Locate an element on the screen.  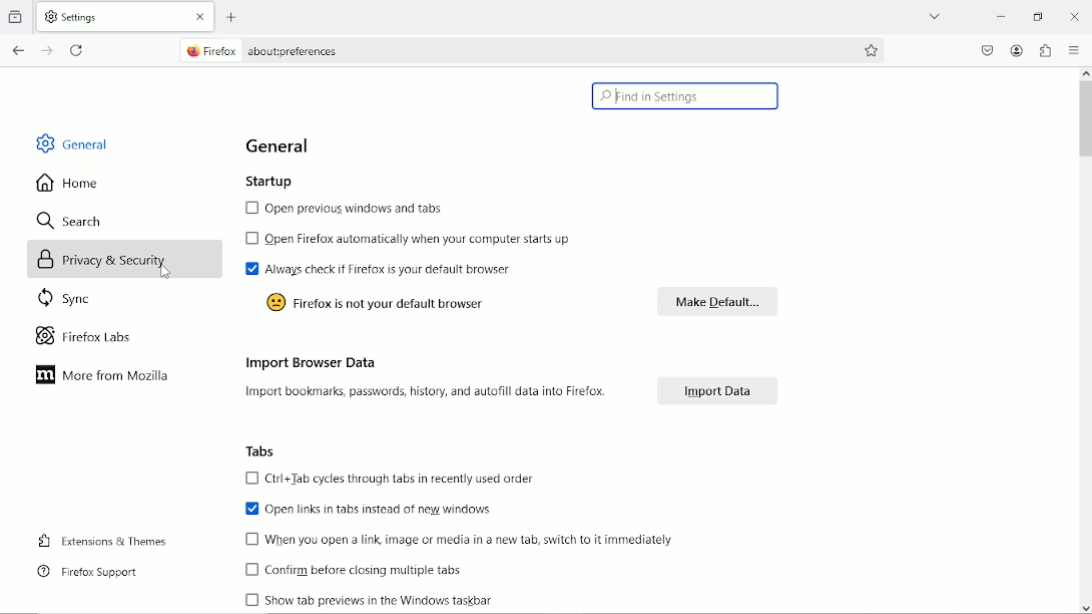
reload current page is located at coordinates (79, 49).